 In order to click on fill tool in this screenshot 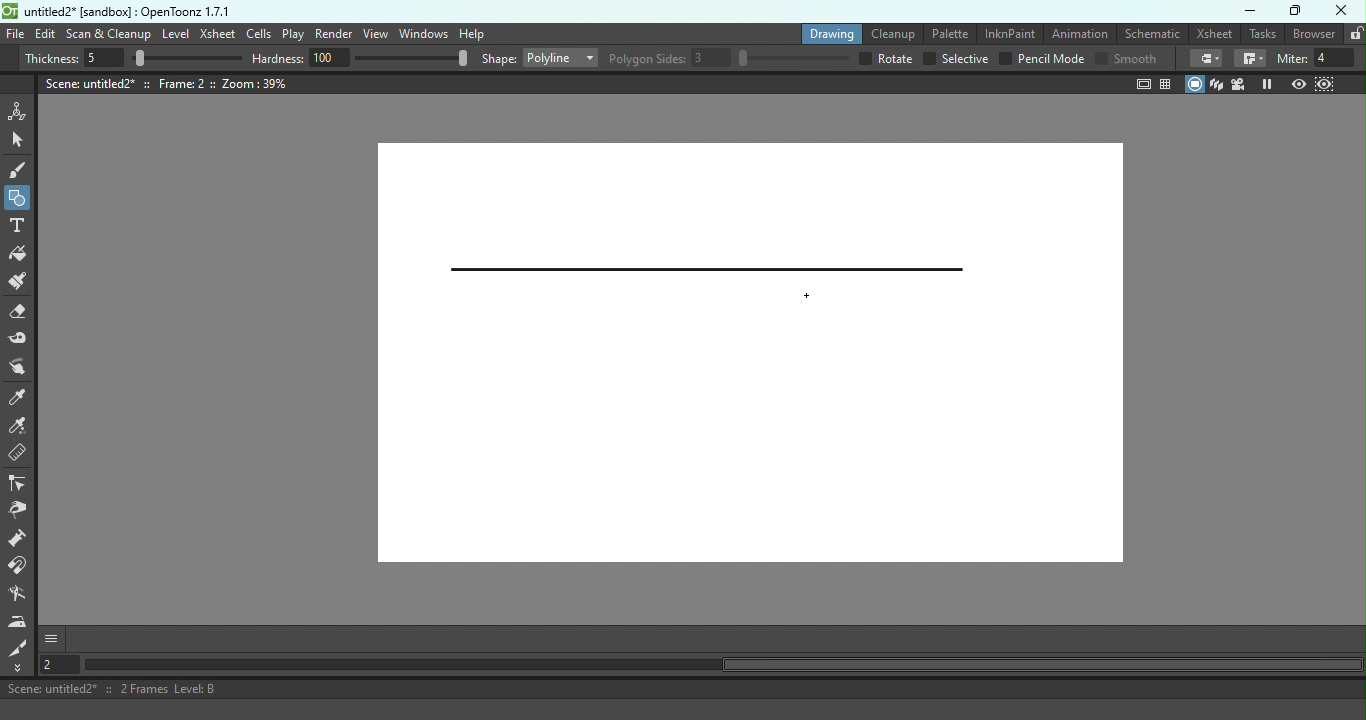, I will do `click(1250, 58)`.